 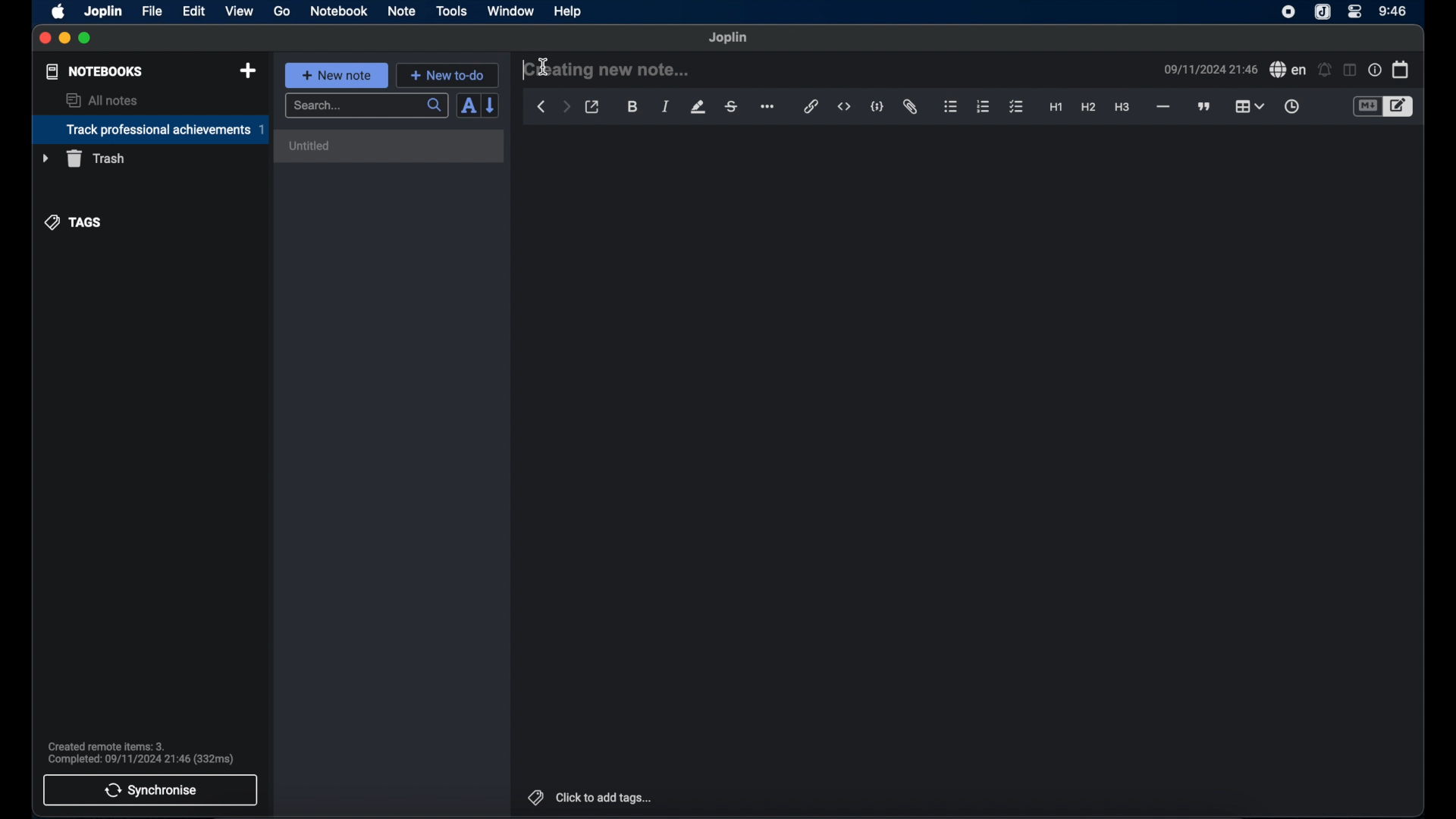 I want to click on toggle editor, so click(x=1366, y=106).